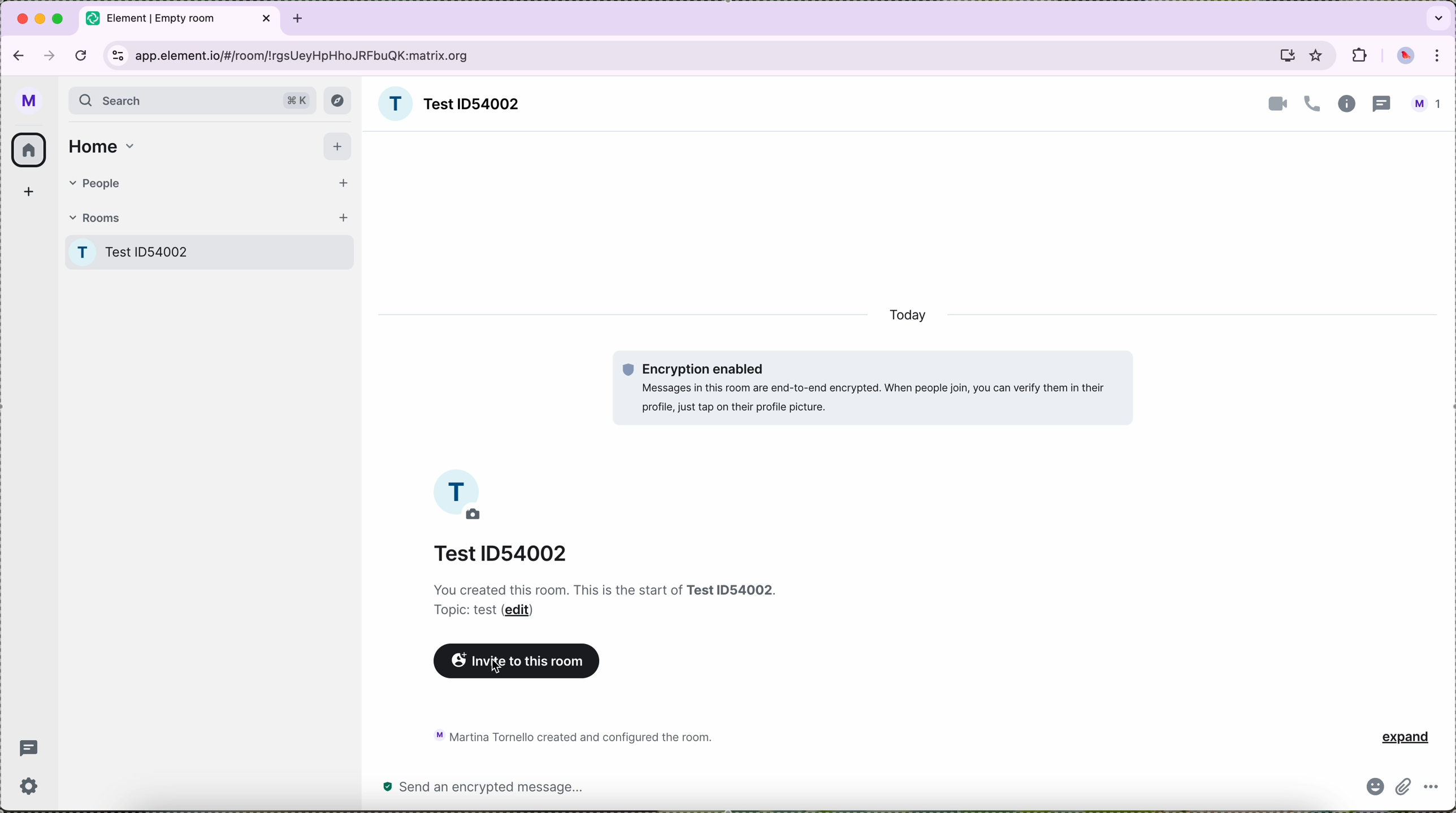 The image size is (1456, 813). I want to click on tab, so click(181, 19).